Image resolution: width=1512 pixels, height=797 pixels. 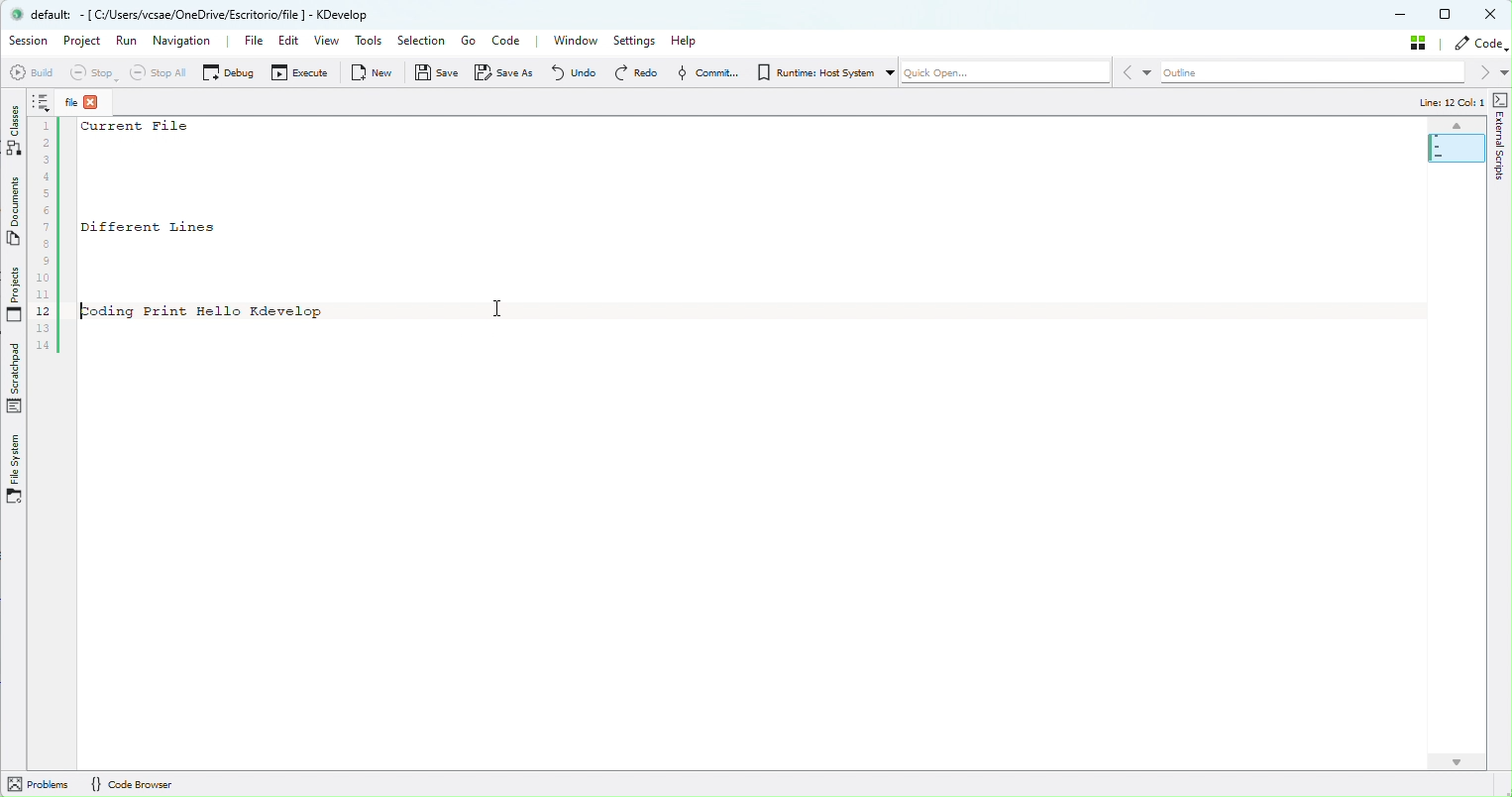 I want to click on Save, so click(x=435, y=74).